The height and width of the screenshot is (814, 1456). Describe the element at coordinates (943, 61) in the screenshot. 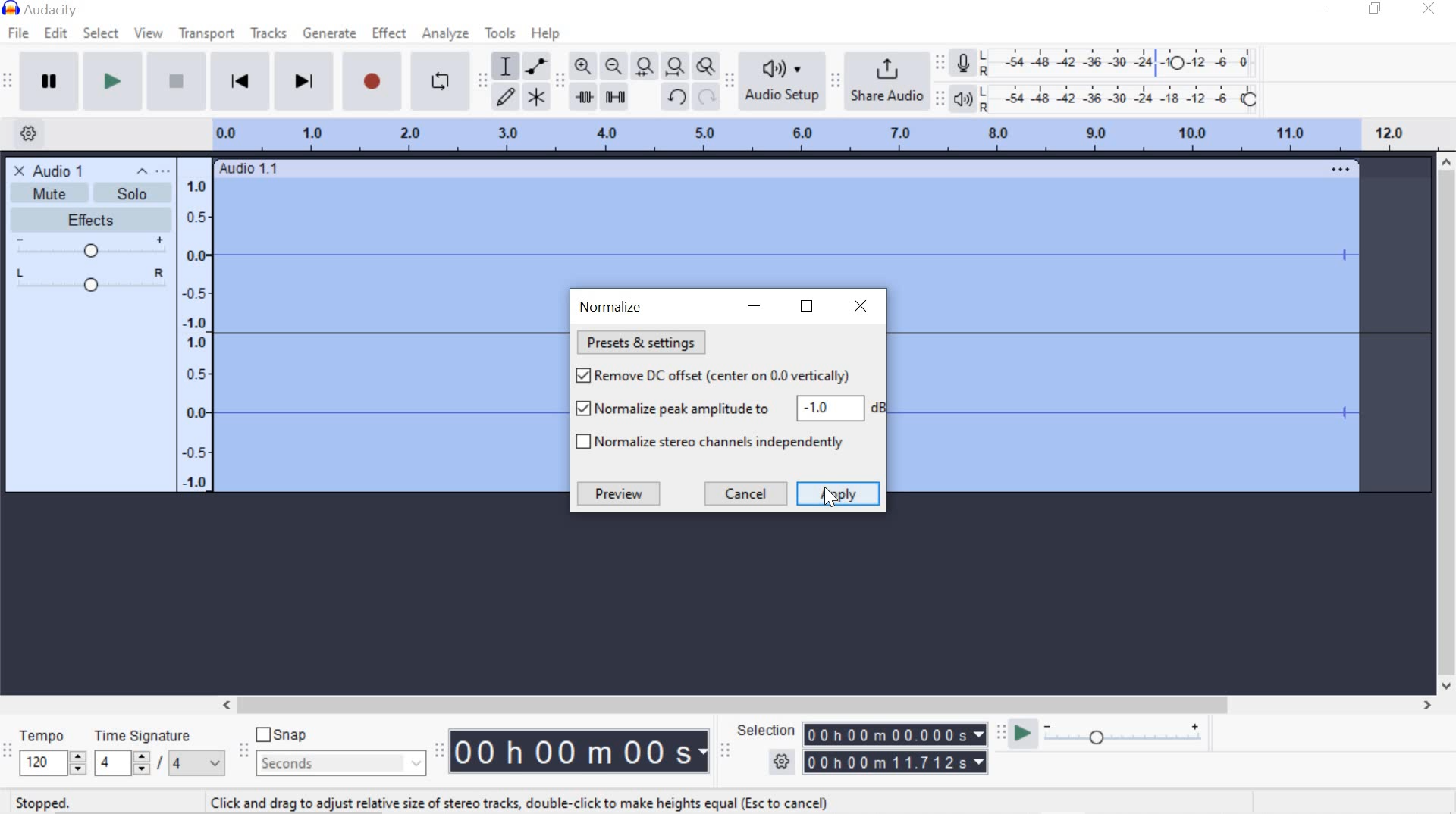

I see `recording meter toolbar` at that location.